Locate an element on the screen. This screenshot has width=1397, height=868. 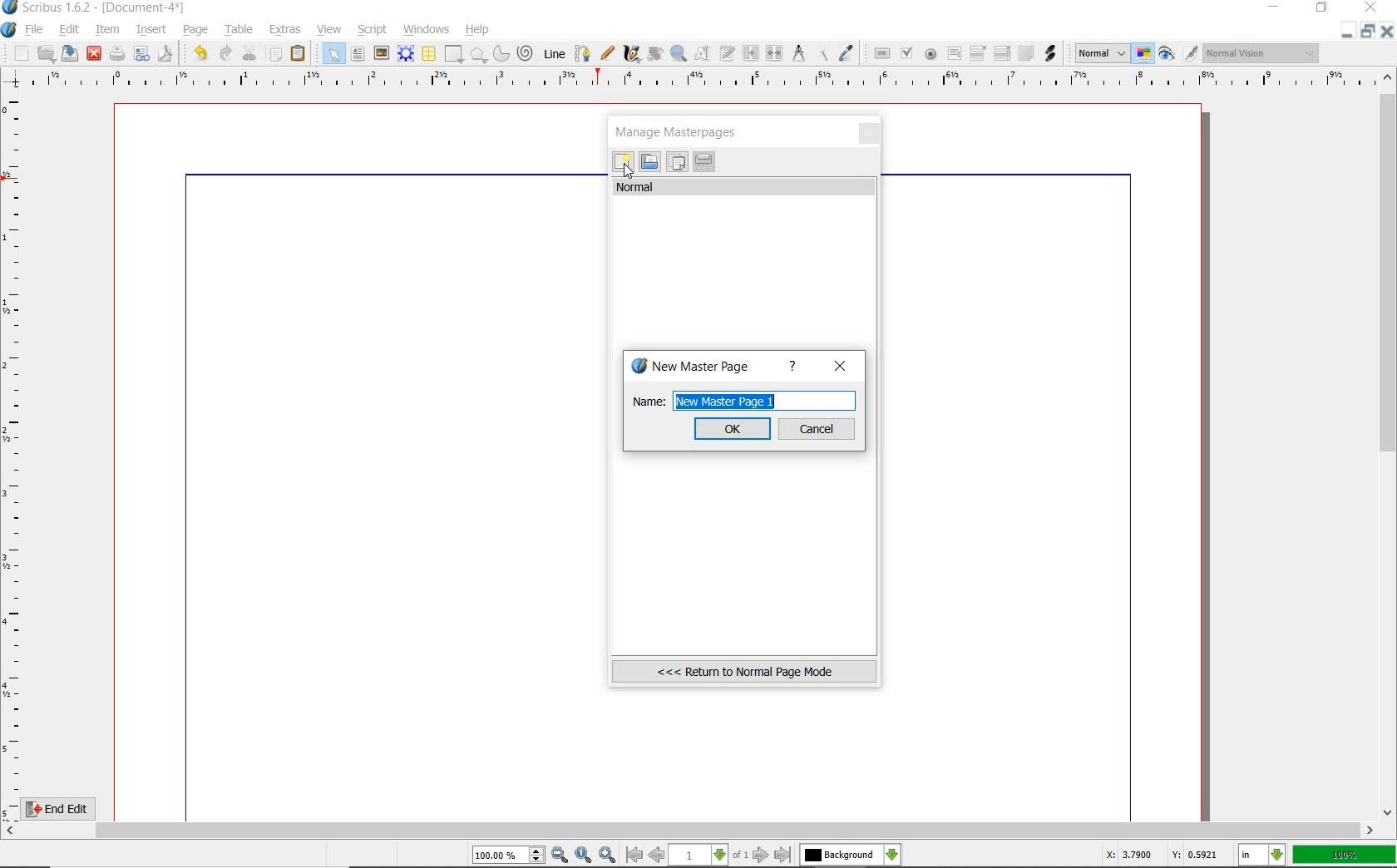
Scribus 1.6.2 - [Document-4*] is located at coordinates (95, 8).